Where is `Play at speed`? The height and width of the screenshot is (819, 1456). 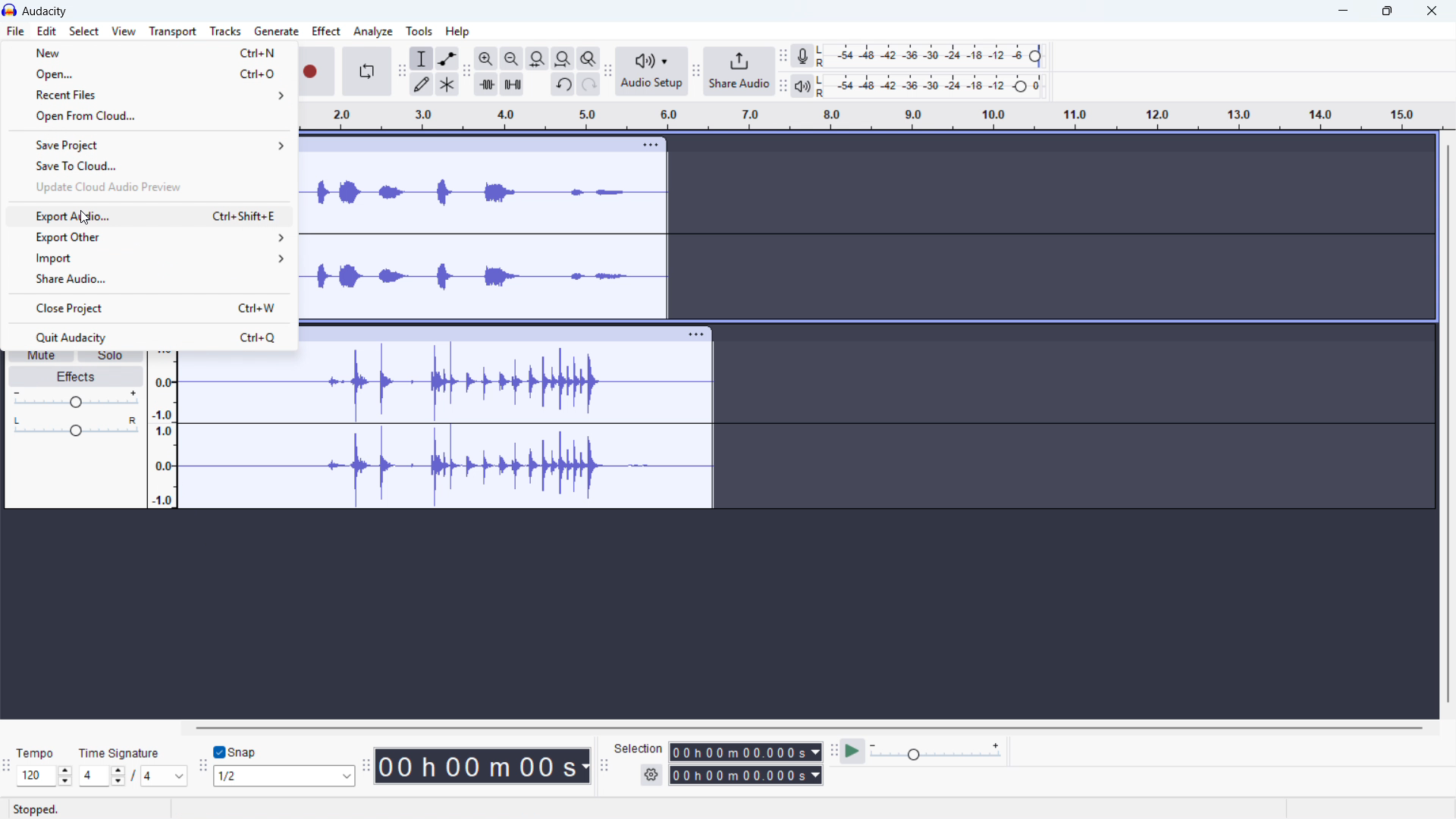 Play at speed is located at coordinates (852, 752).